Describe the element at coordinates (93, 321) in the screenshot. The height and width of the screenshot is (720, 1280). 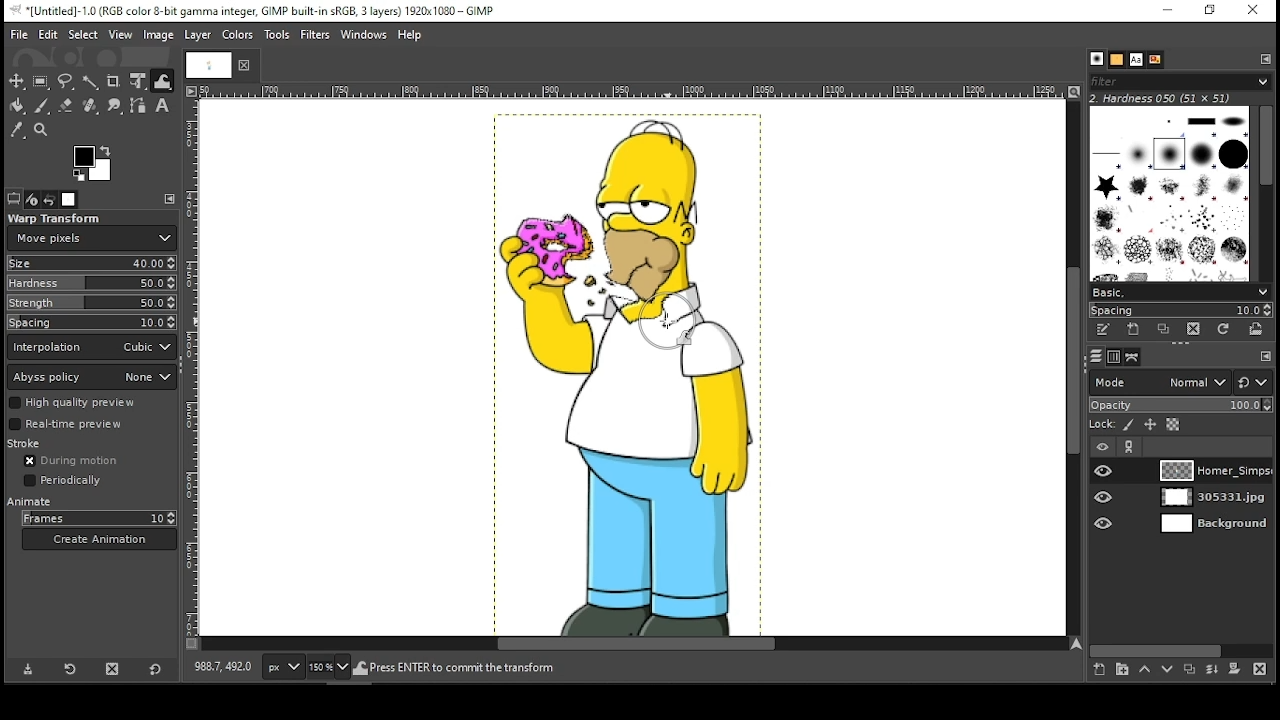
I see `spacing` at that location.